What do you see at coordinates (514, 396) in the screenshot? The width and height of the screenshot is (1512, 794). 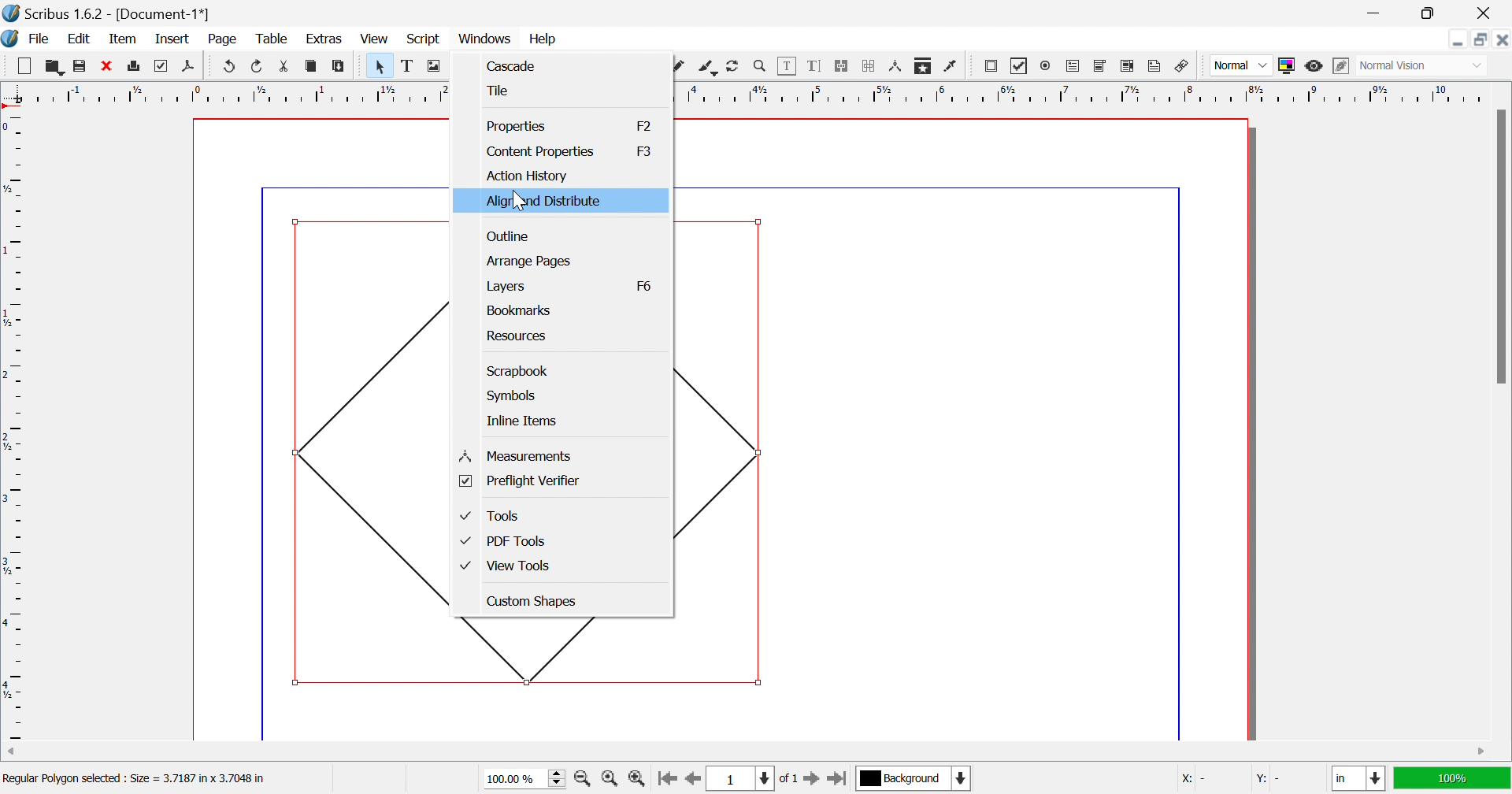 I see `Symbols` at bounding box center [514, 396].